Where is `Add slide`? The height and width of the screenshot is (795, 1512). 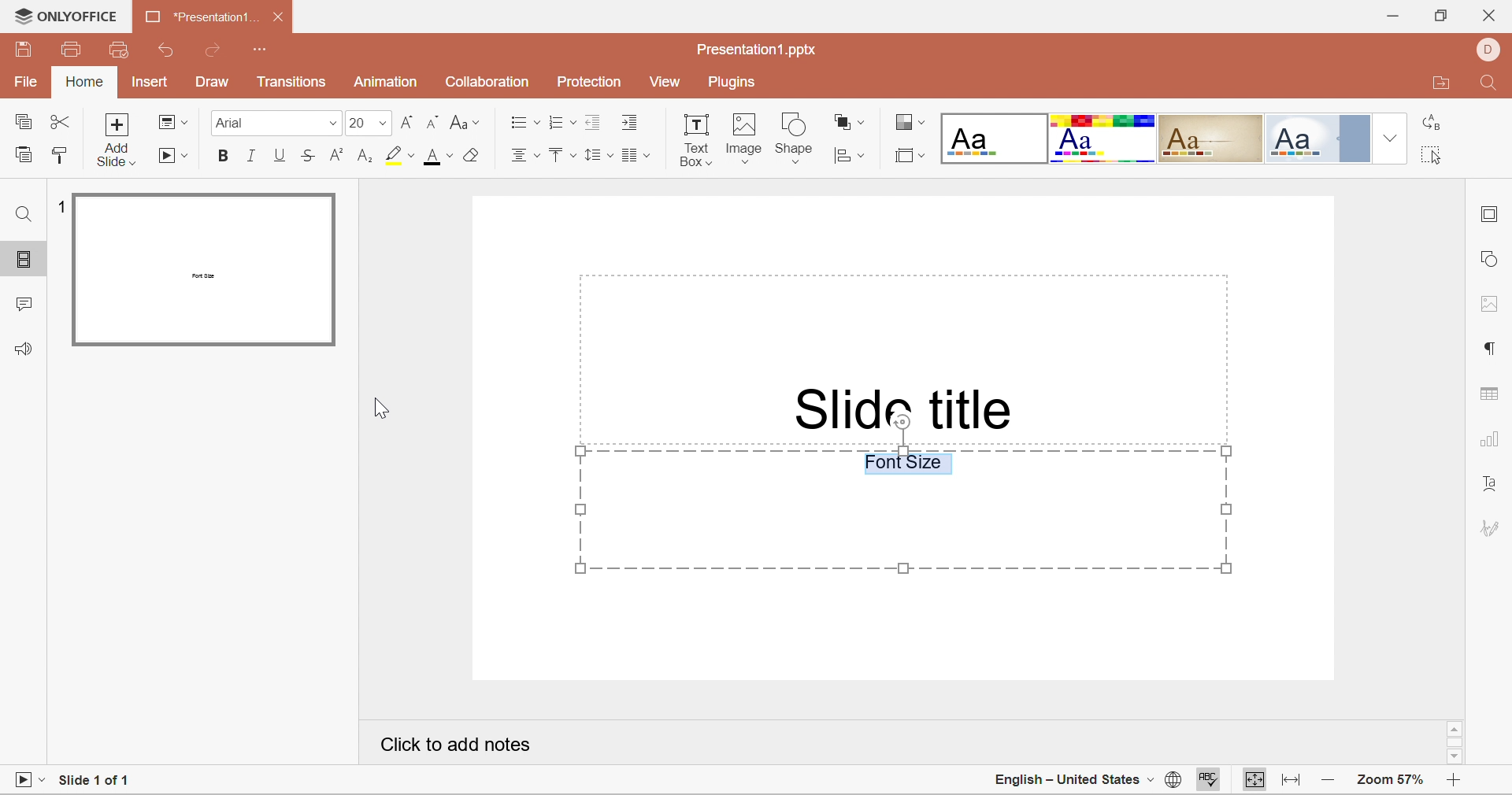 Add slide is located at coordinates (119, 142).